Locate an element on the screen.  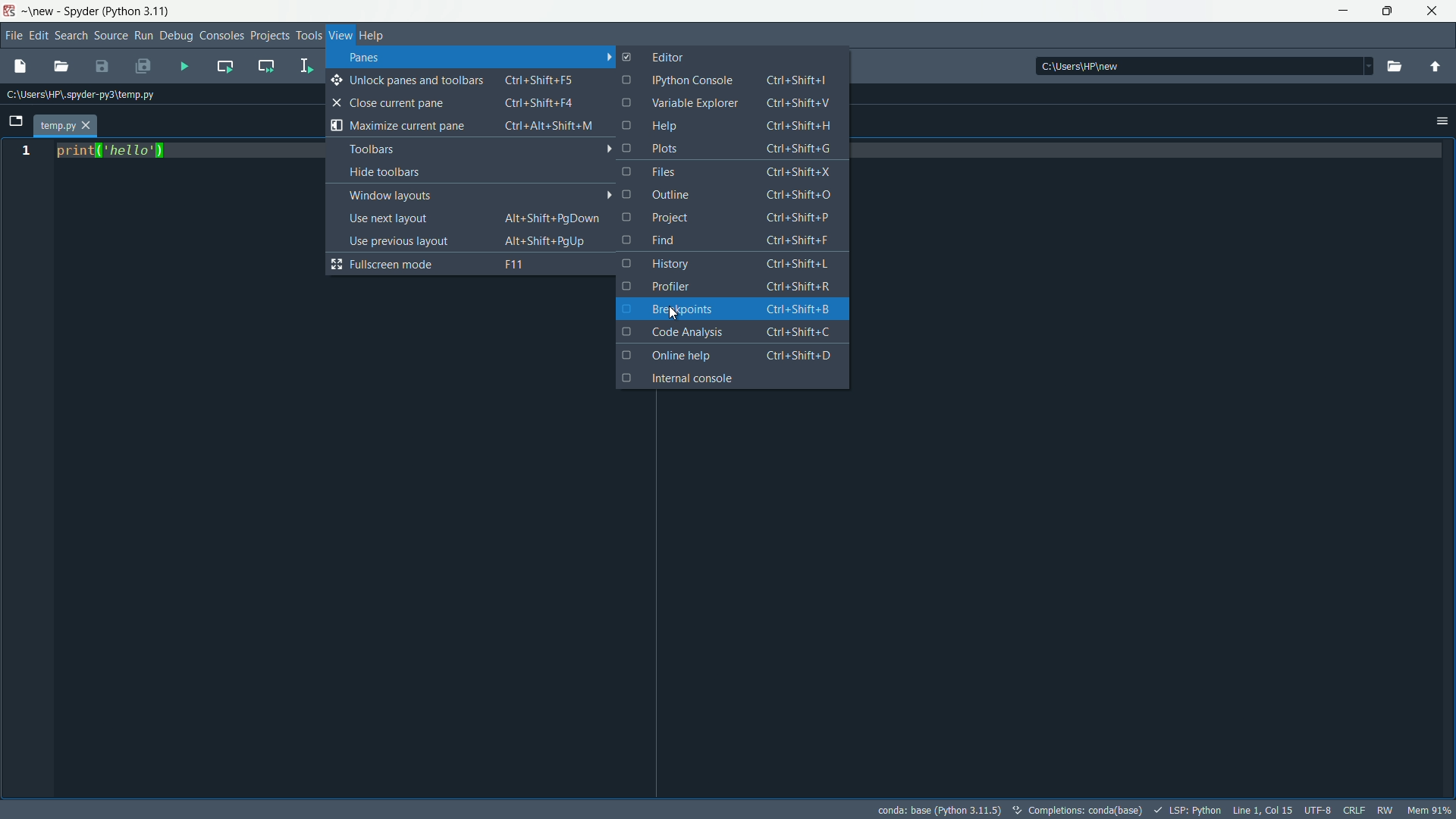
run file is located at coordinates (185, 66).